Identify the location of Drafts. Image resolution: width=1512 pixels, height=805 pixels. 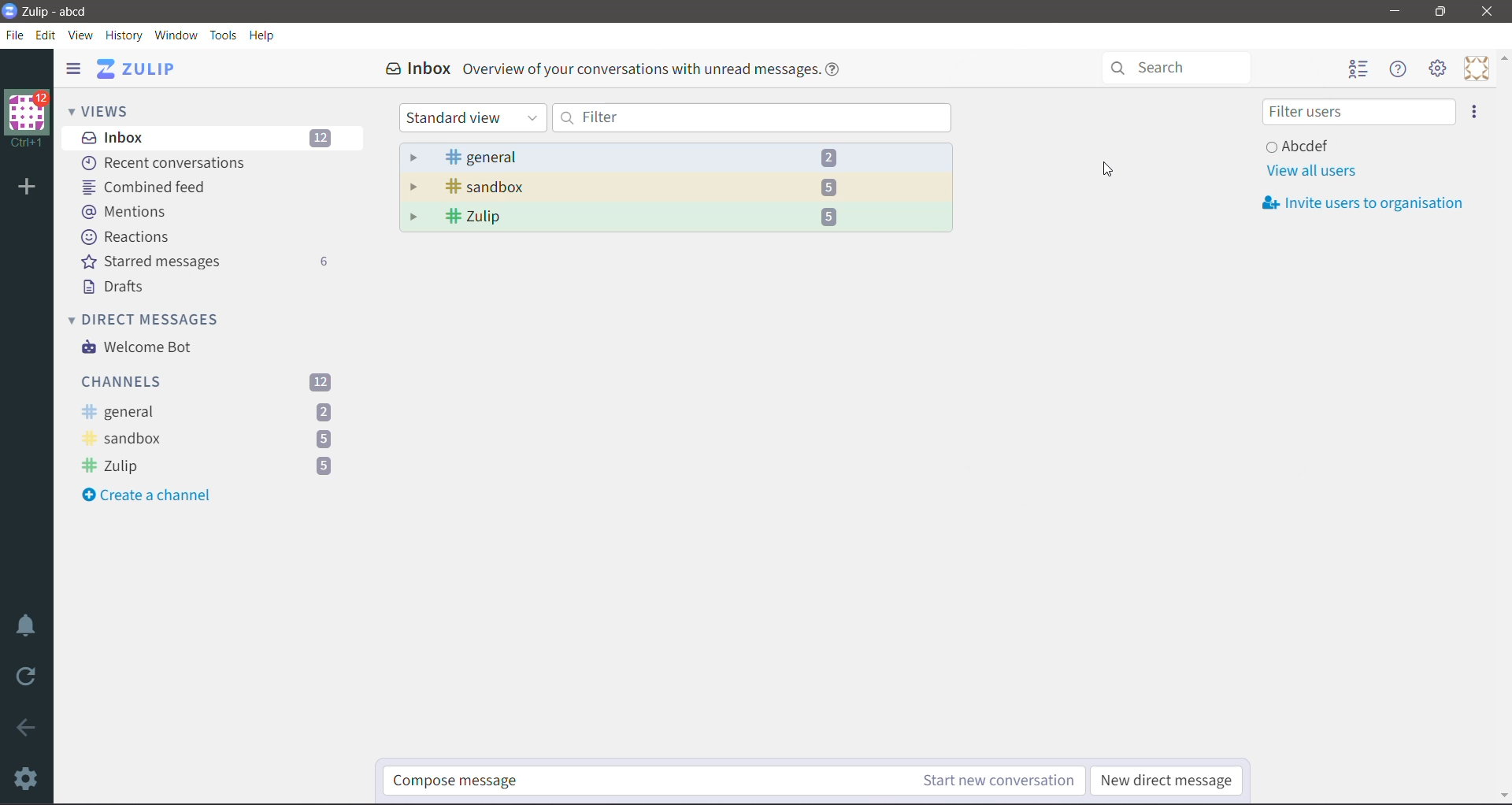
(121, 289).